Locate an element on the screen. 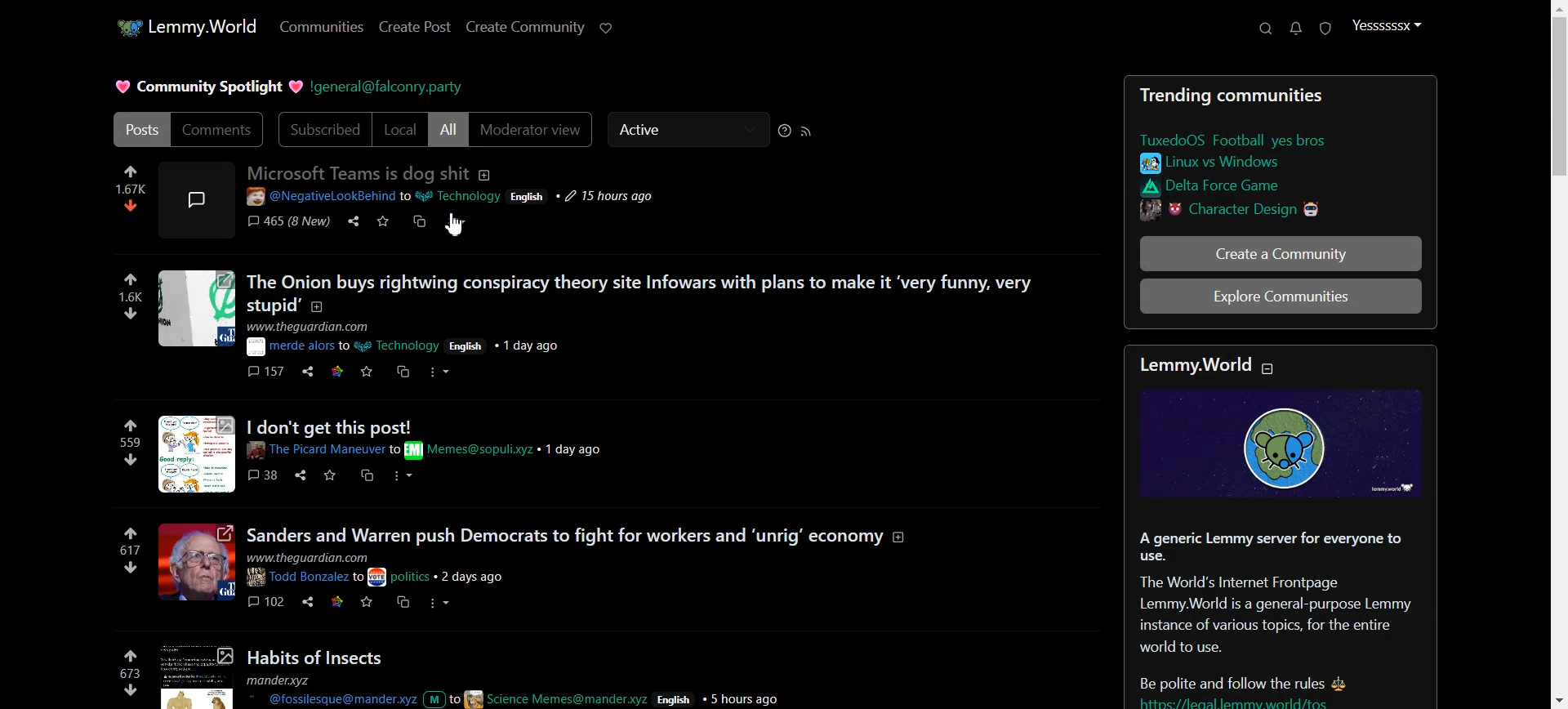  numbers is located at coordinates (131, 297).